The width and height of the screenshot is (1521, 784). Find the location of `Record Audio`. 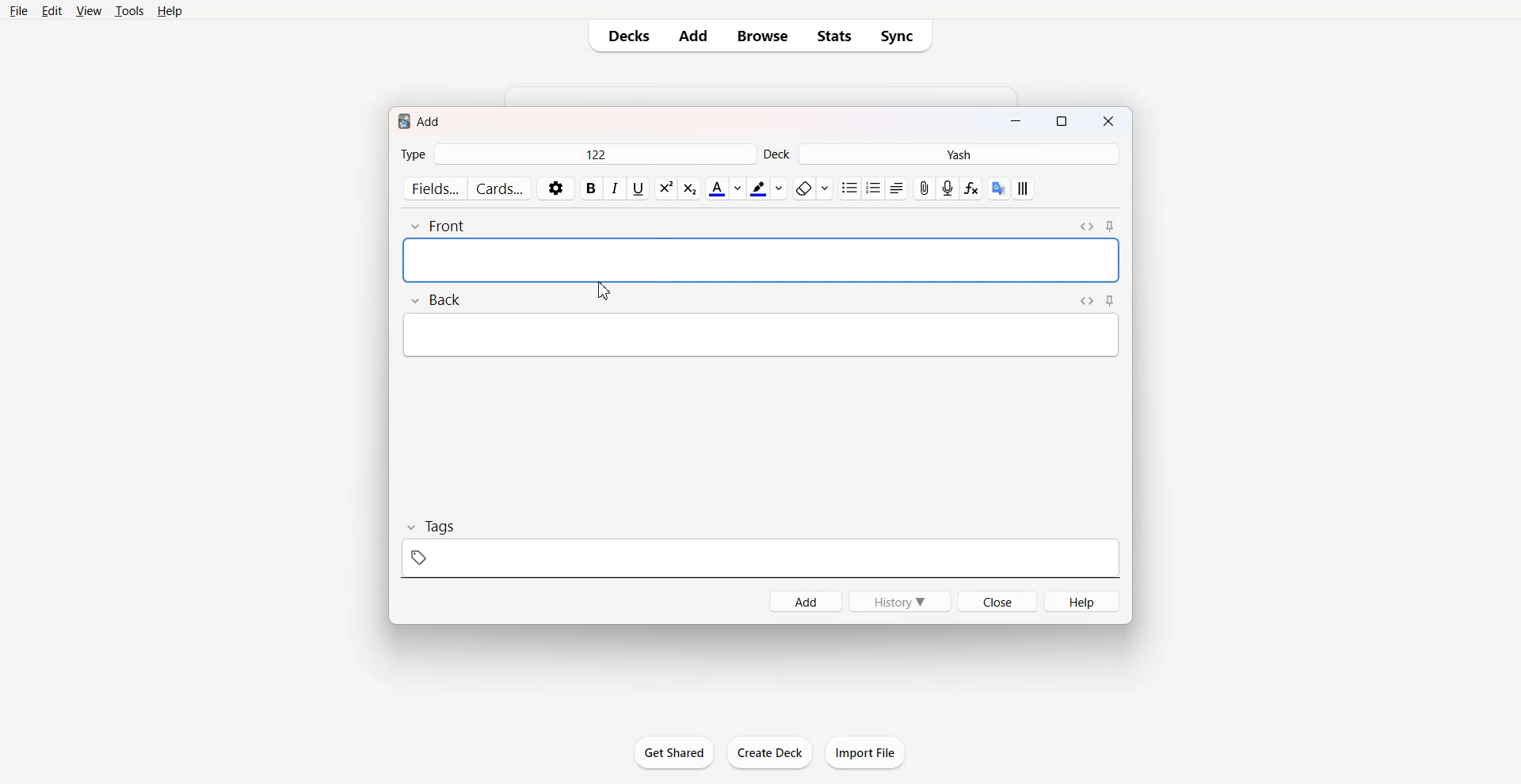

Record Audio is located at coordinates (947, 188).